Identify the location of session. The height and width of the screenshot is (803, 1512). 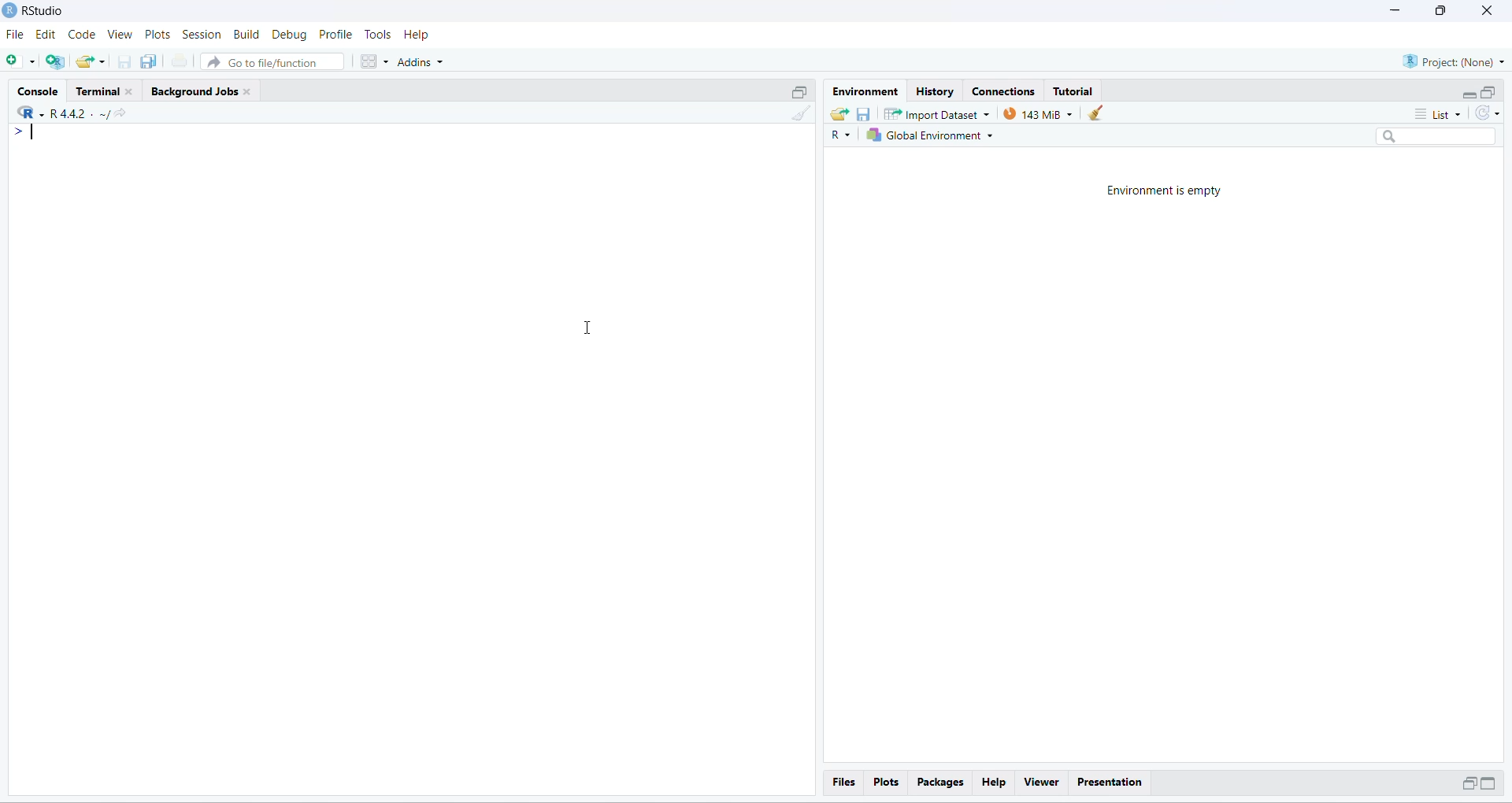
(202, 35).